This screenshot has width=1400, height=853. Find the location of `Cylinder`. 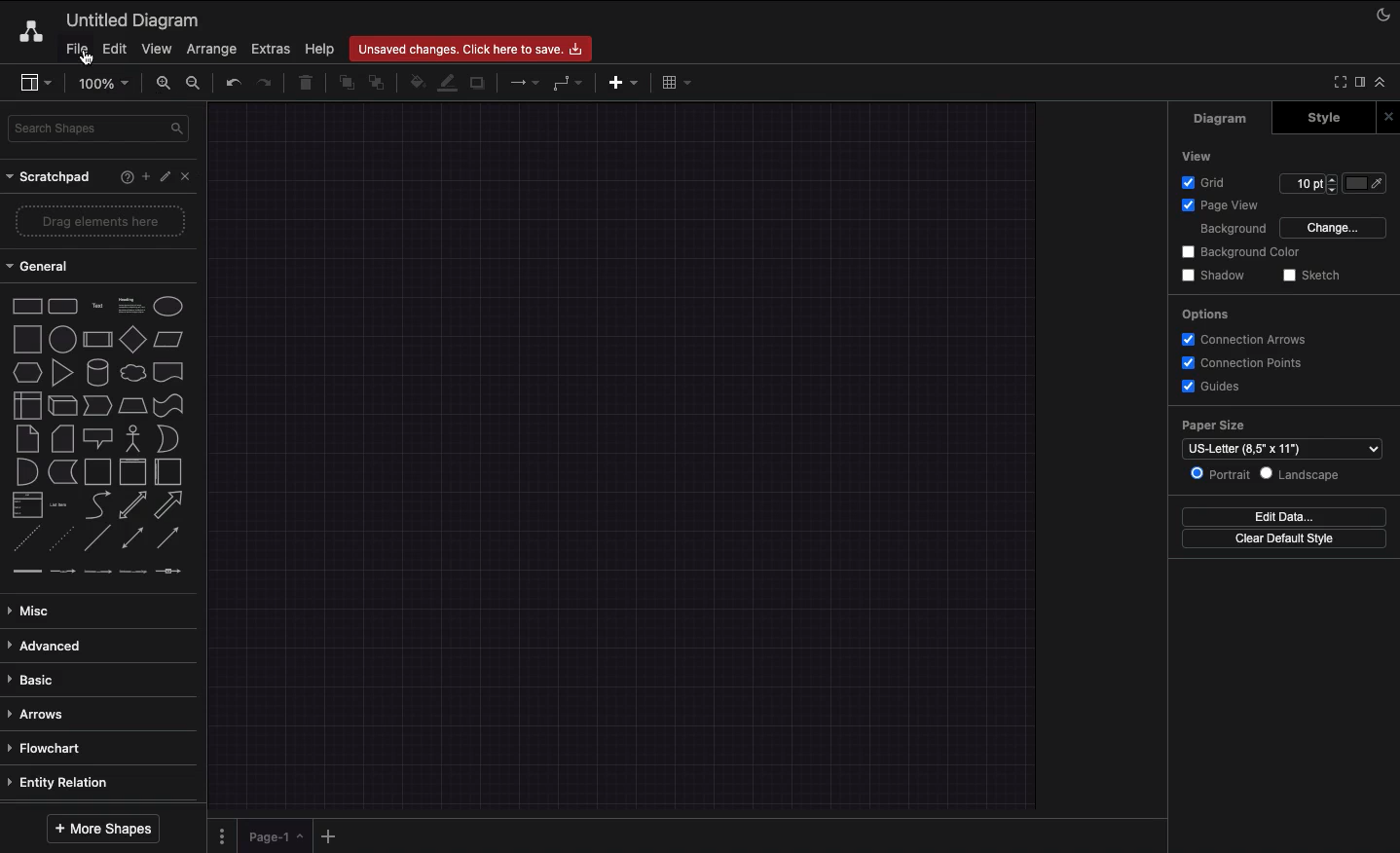

Cylinder is located at coordinates (97, 373).